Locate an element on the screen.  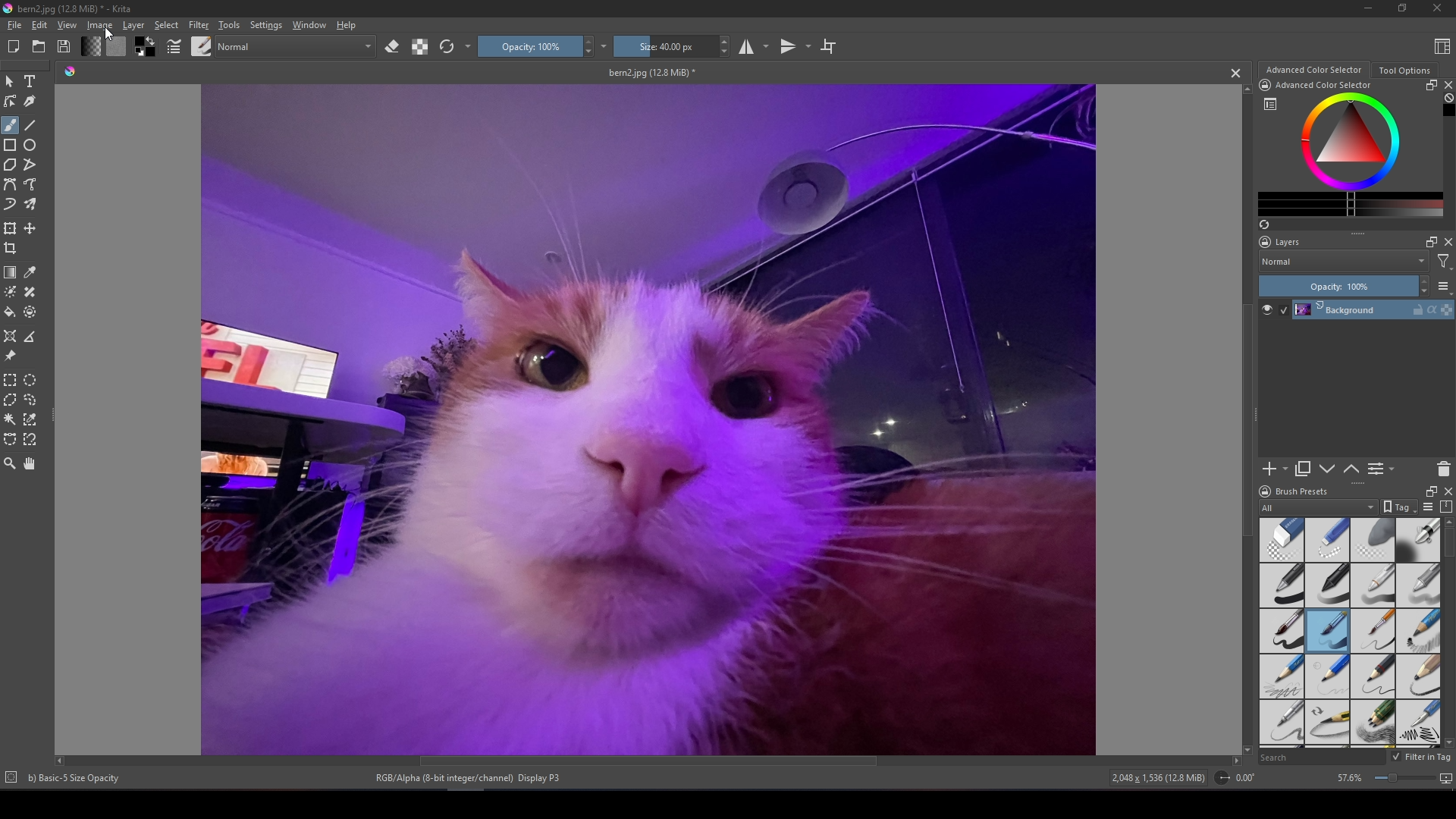
Bezier line tool is located at coordinates (11, 184).